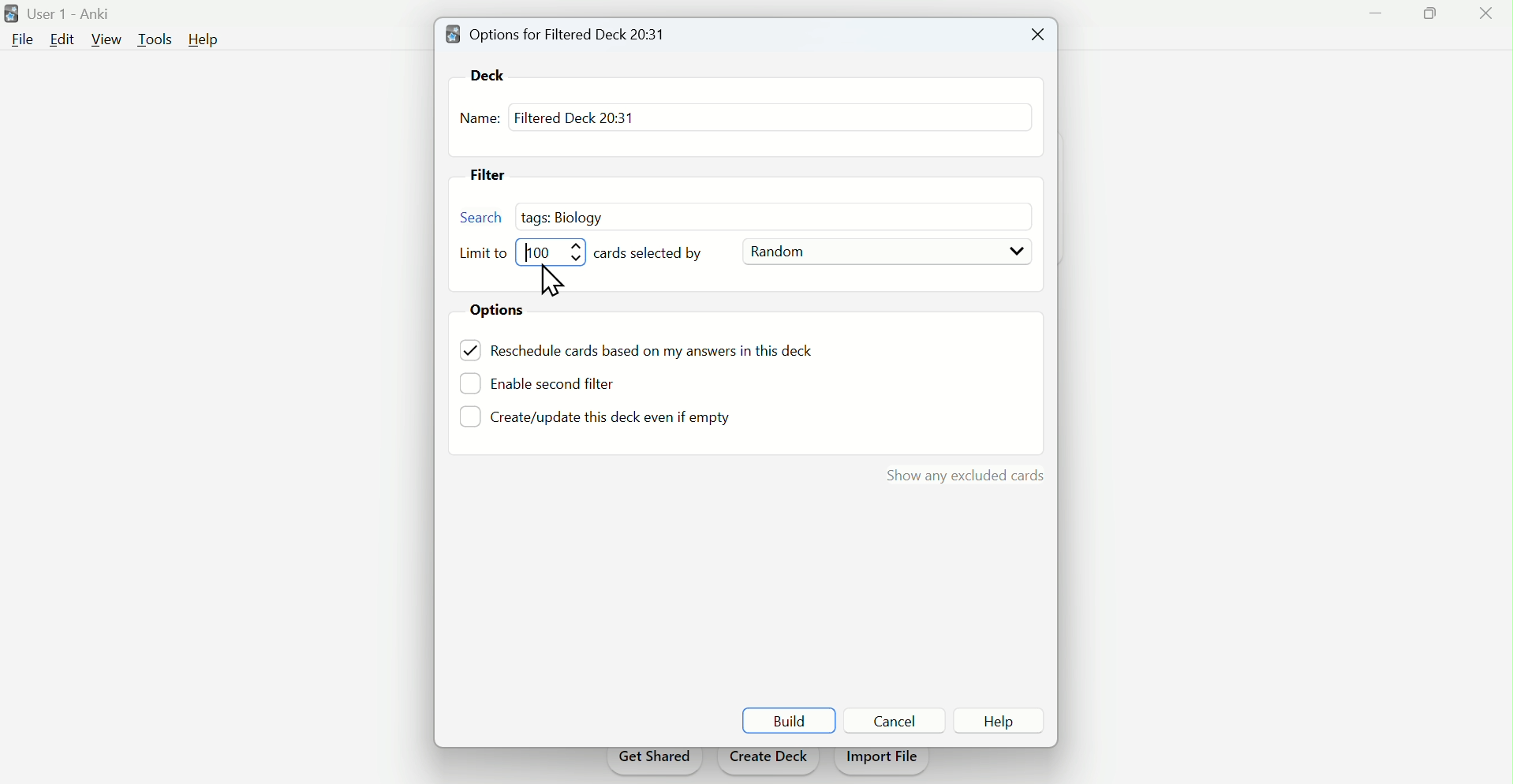 The image size is (1513, 784). I want to click on search, so click(483, 219).